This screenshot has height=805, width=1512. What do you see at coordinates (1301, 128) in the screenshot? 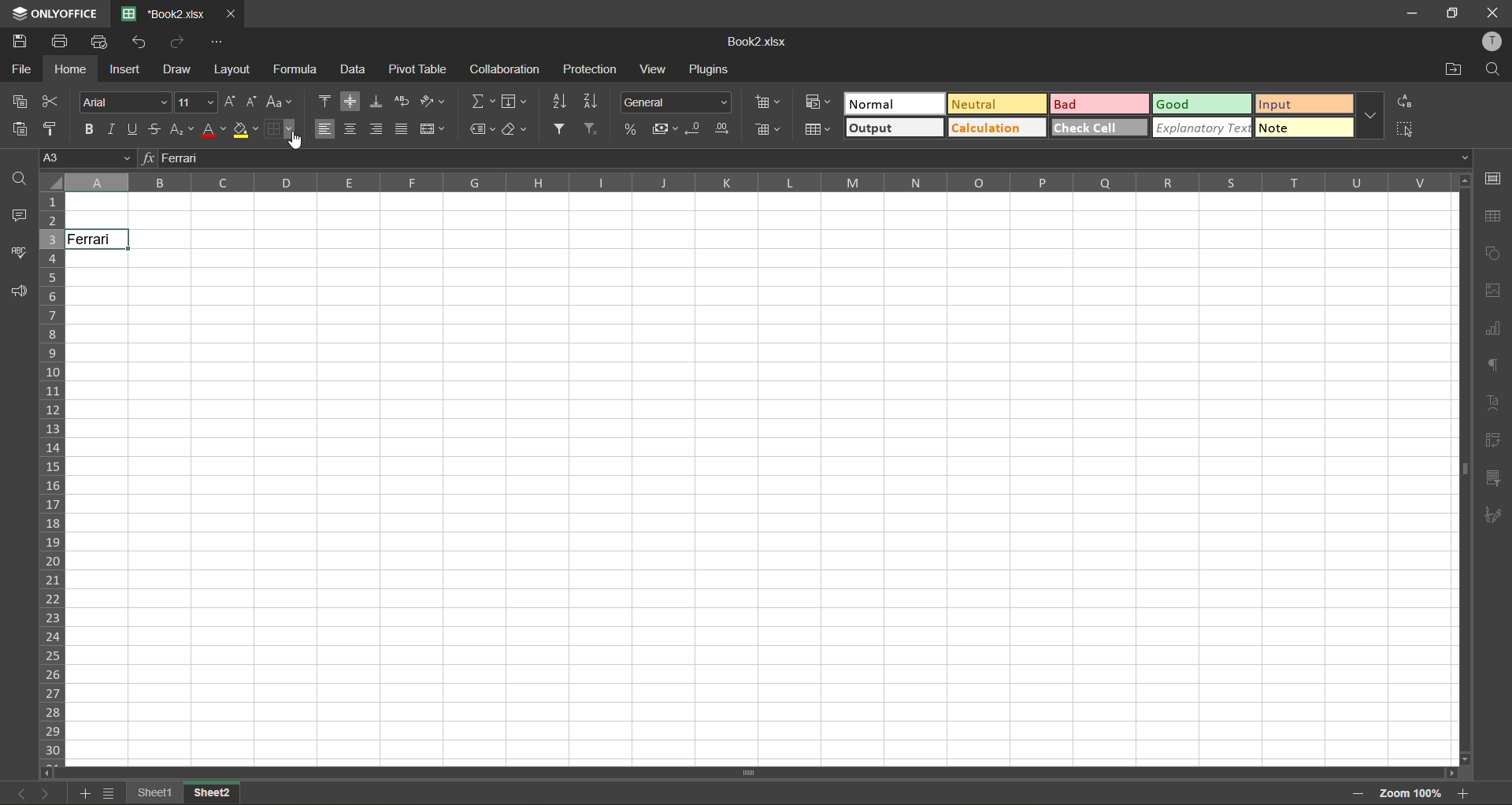
I see `note` at bounding box center [1301, 128].